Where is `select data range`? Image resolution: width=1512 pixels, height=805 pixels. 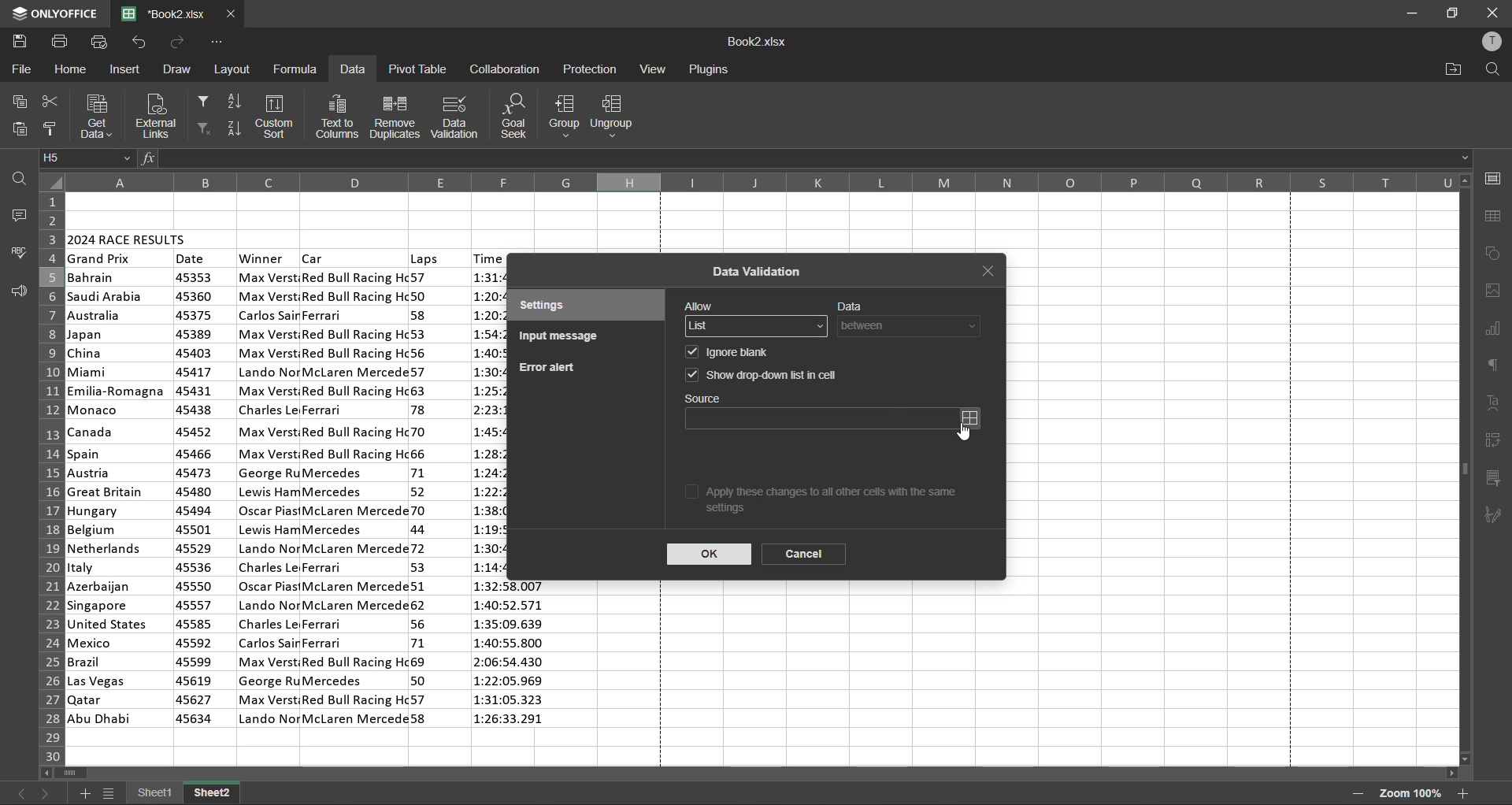
select data range is located at coordinates (975, 417).